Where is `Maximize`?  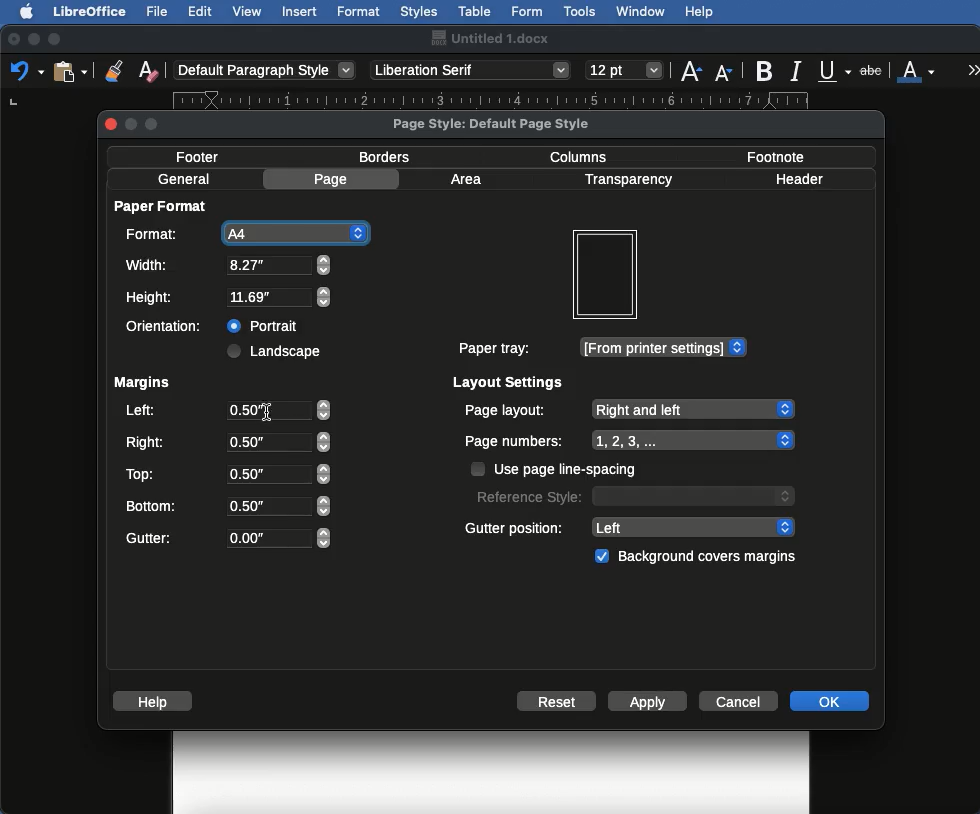 Maximize is located at coordinates (56, 39).